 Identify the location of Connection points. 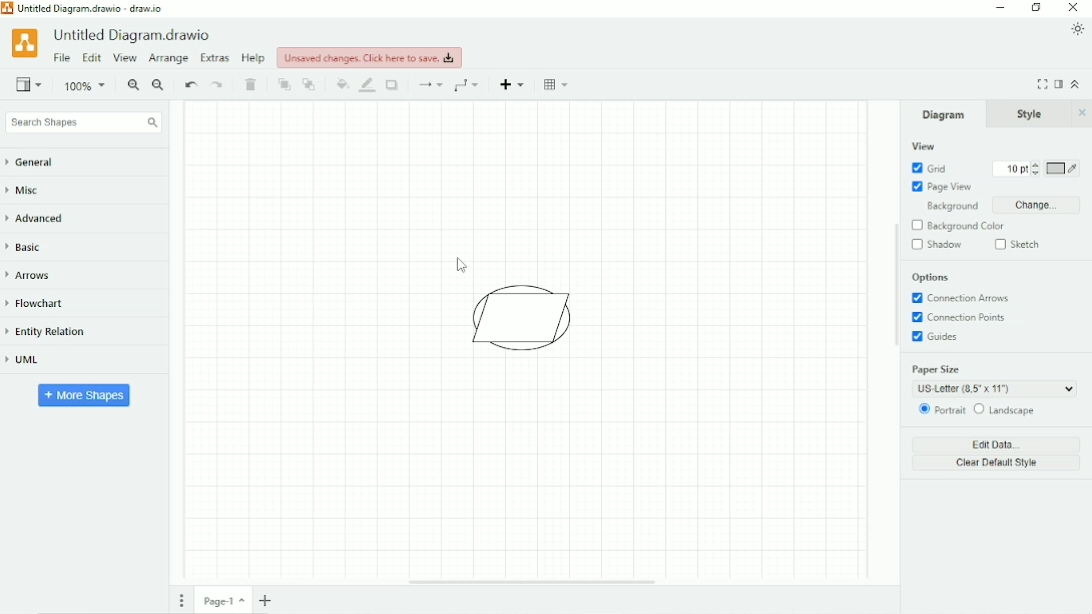
(963, 318).